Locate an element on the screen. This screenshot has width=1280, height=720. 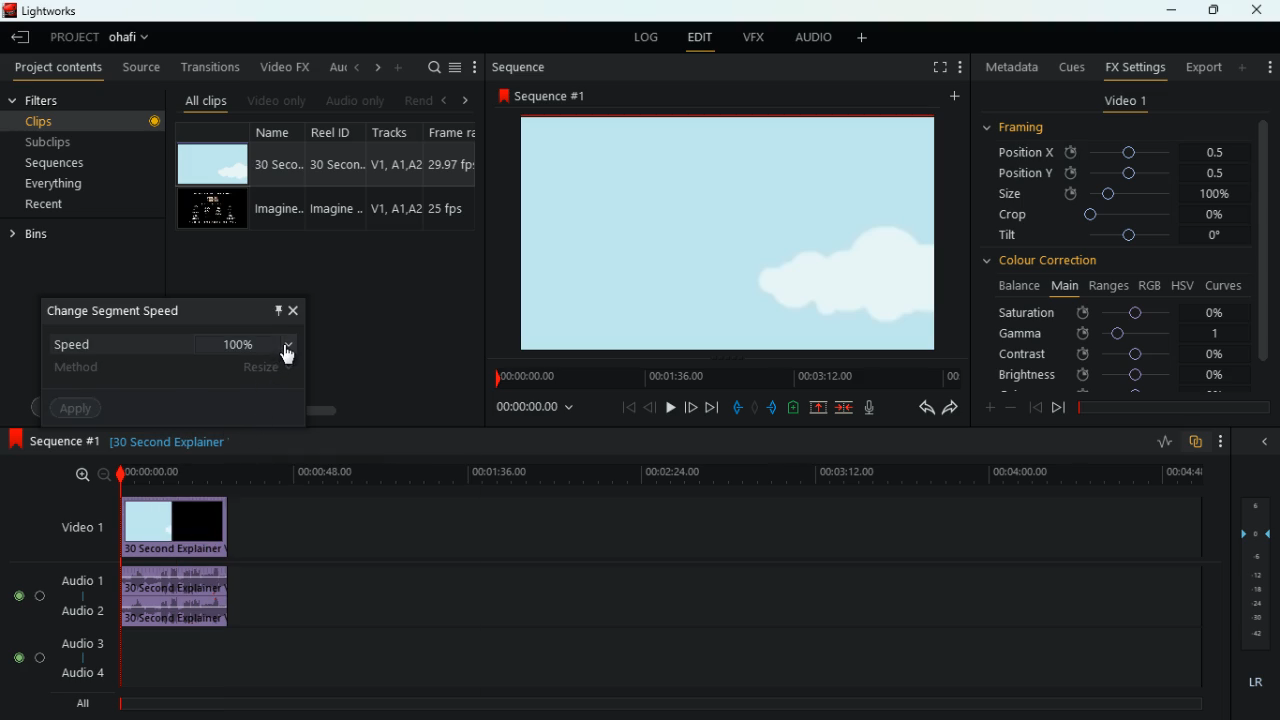
back is located at coordinates (919, 408).